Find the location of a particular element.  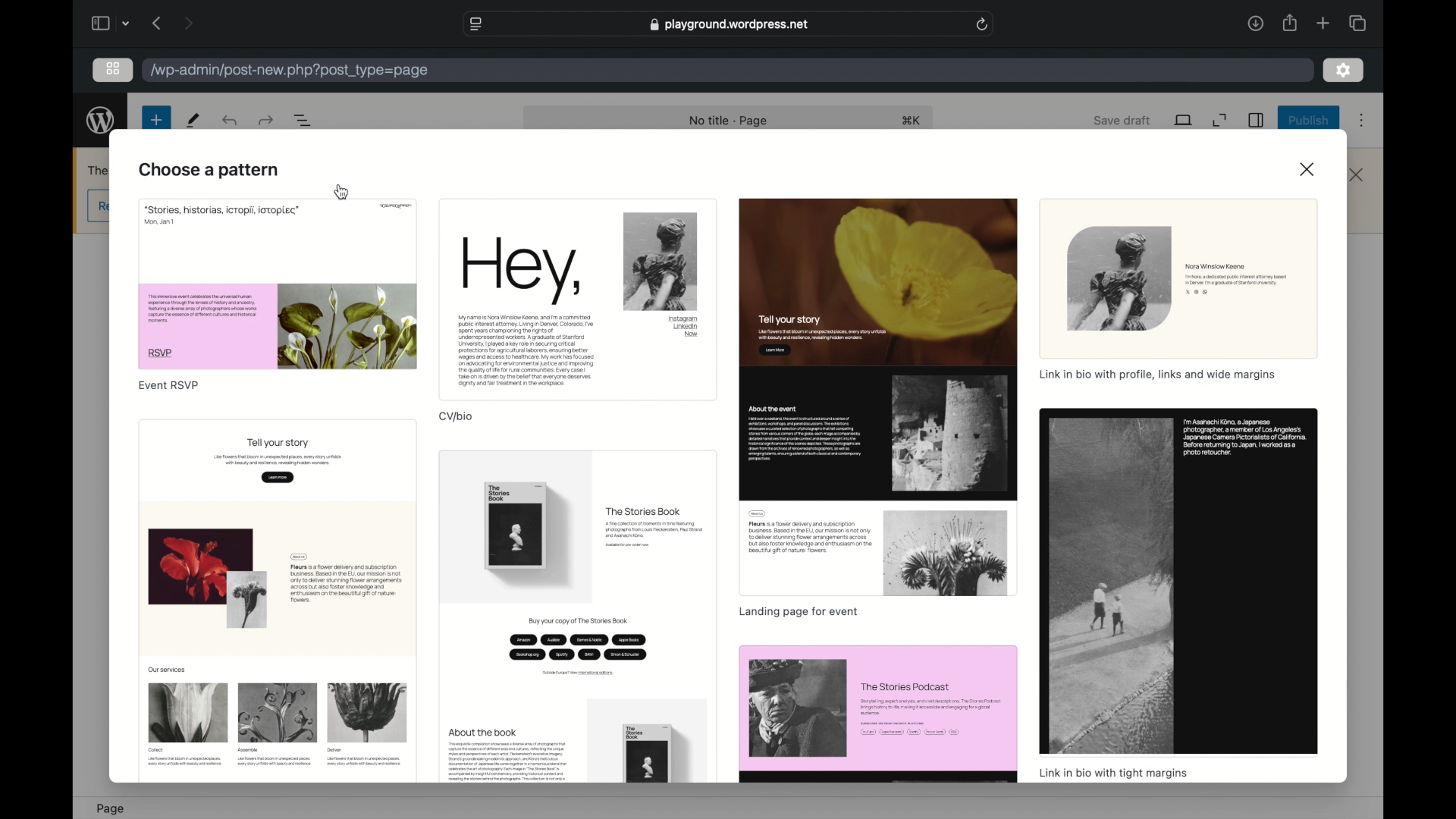

cv/bio is located at coordinates (456, 416).